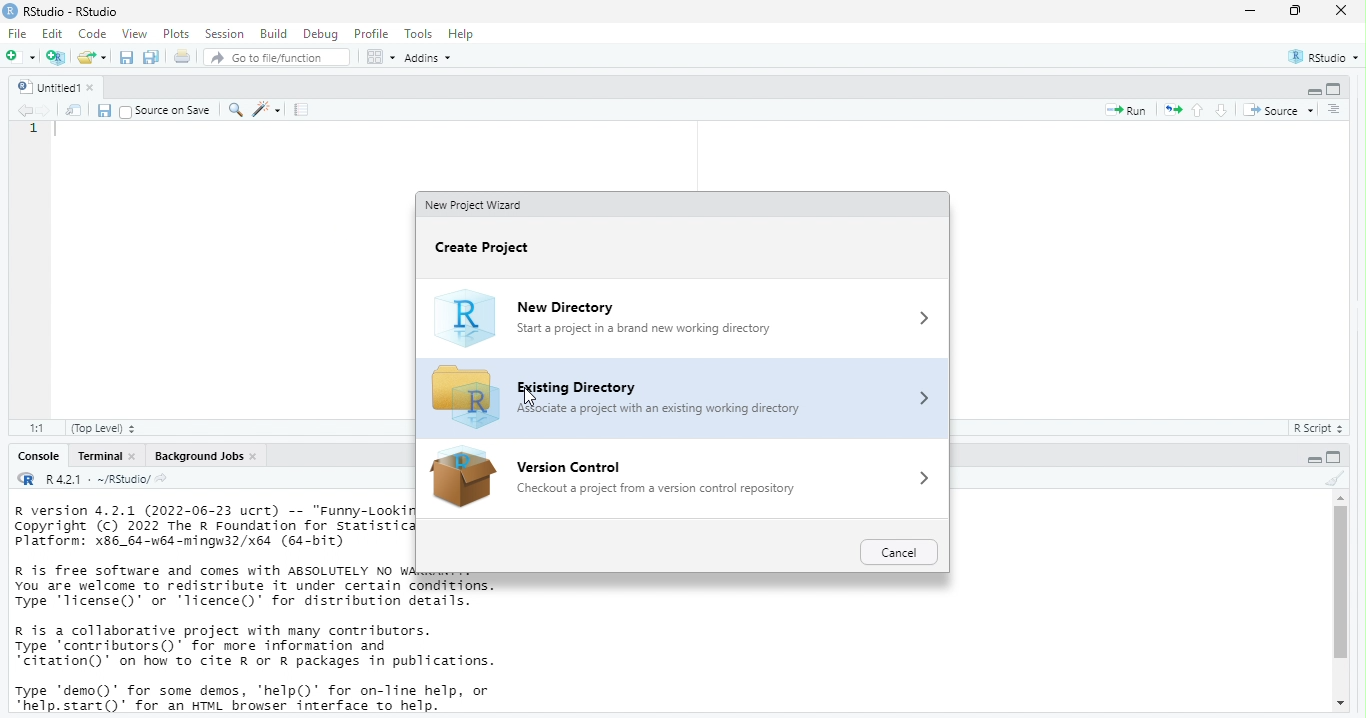 This screenshot has width=1366, height=718. What do you see at coordinates (456, 480) in the screenshot?
I see `icon for version control` at bounding box center [456, 480].